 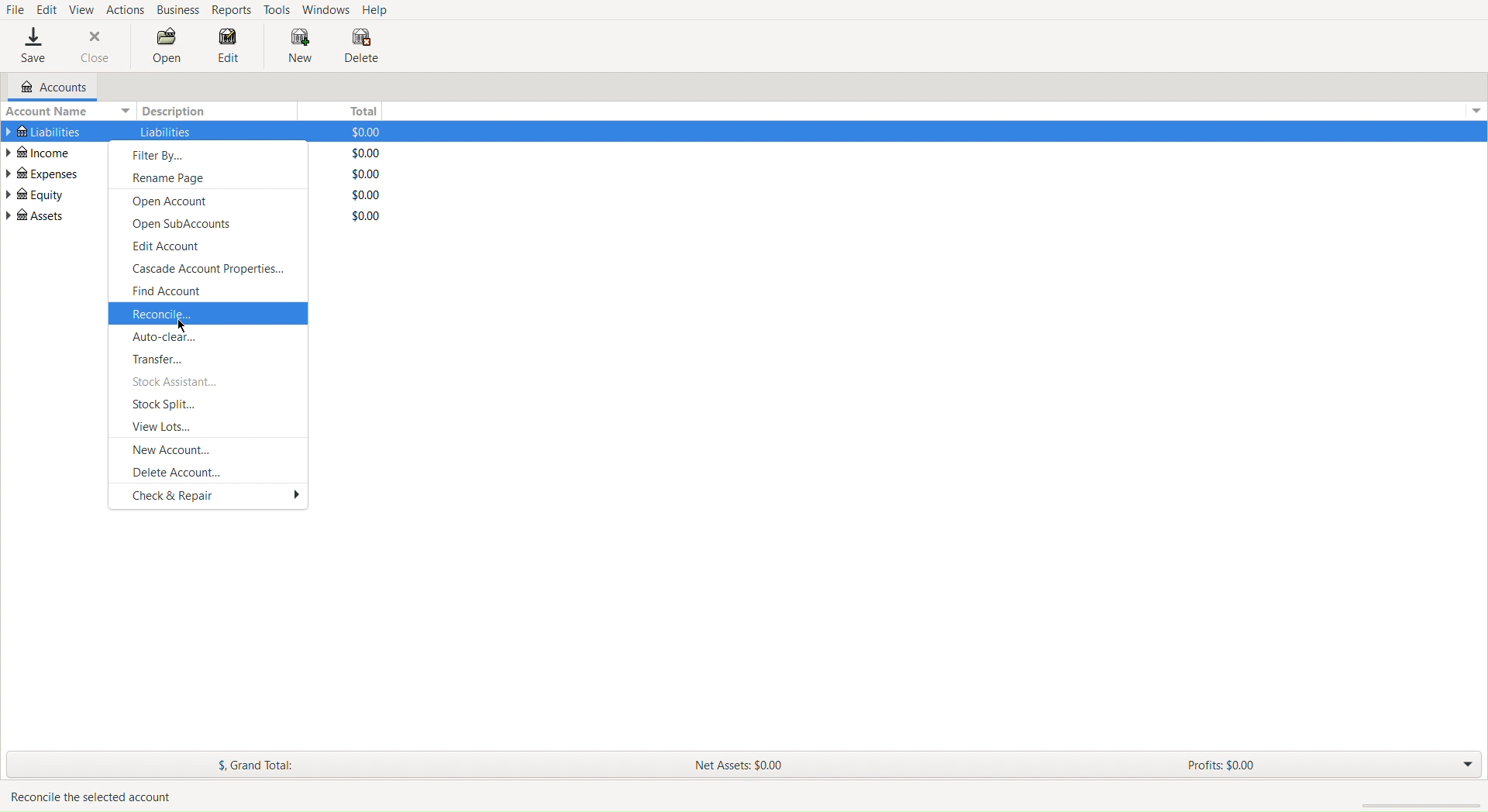 What do you see at coordinates (231, 9) in the screenshot?
I see `Reports` at bounding box center [231, 9].